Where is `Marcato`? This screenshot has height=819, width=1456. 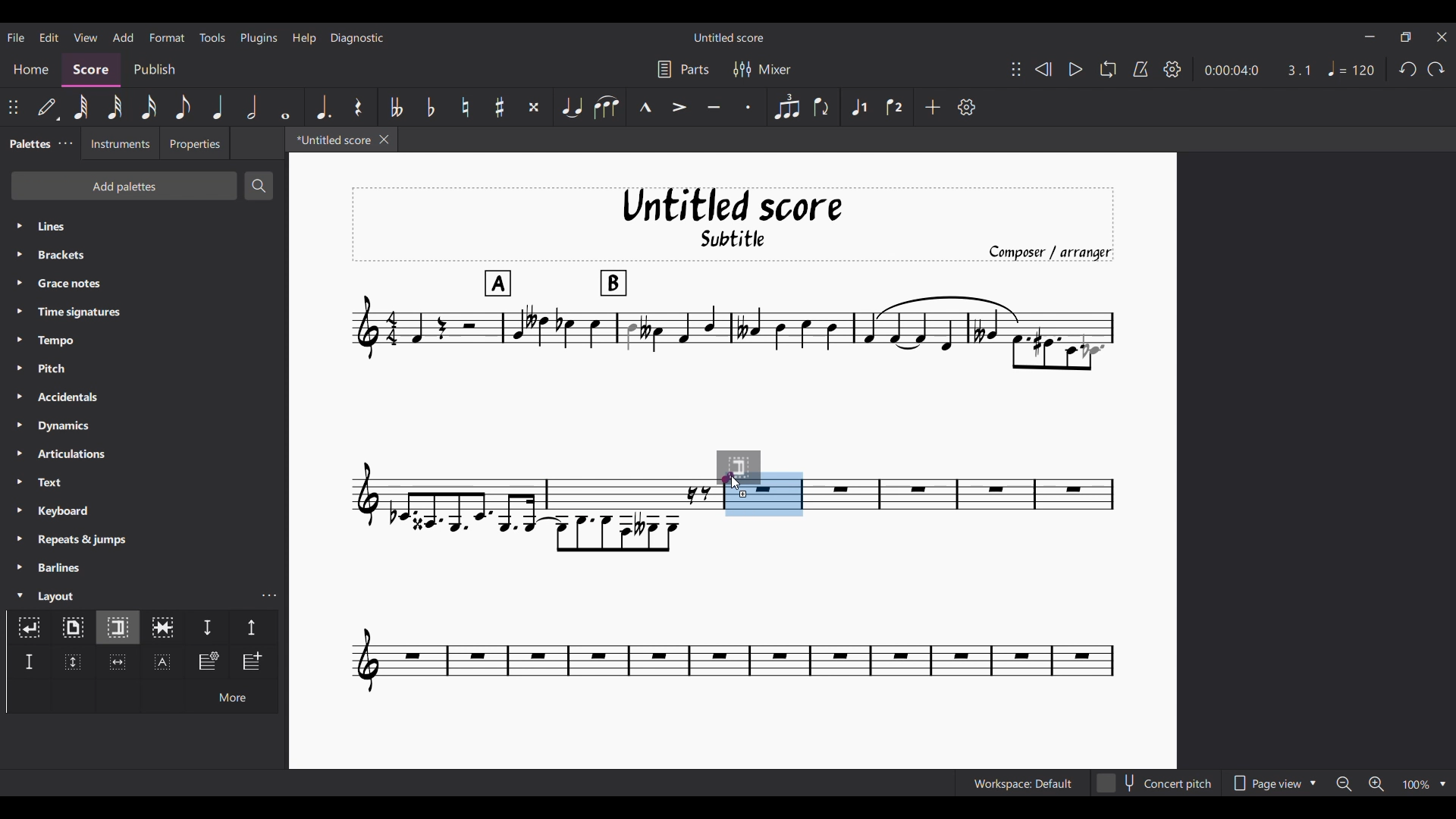
Marcato is located at coordinates (645, 107).